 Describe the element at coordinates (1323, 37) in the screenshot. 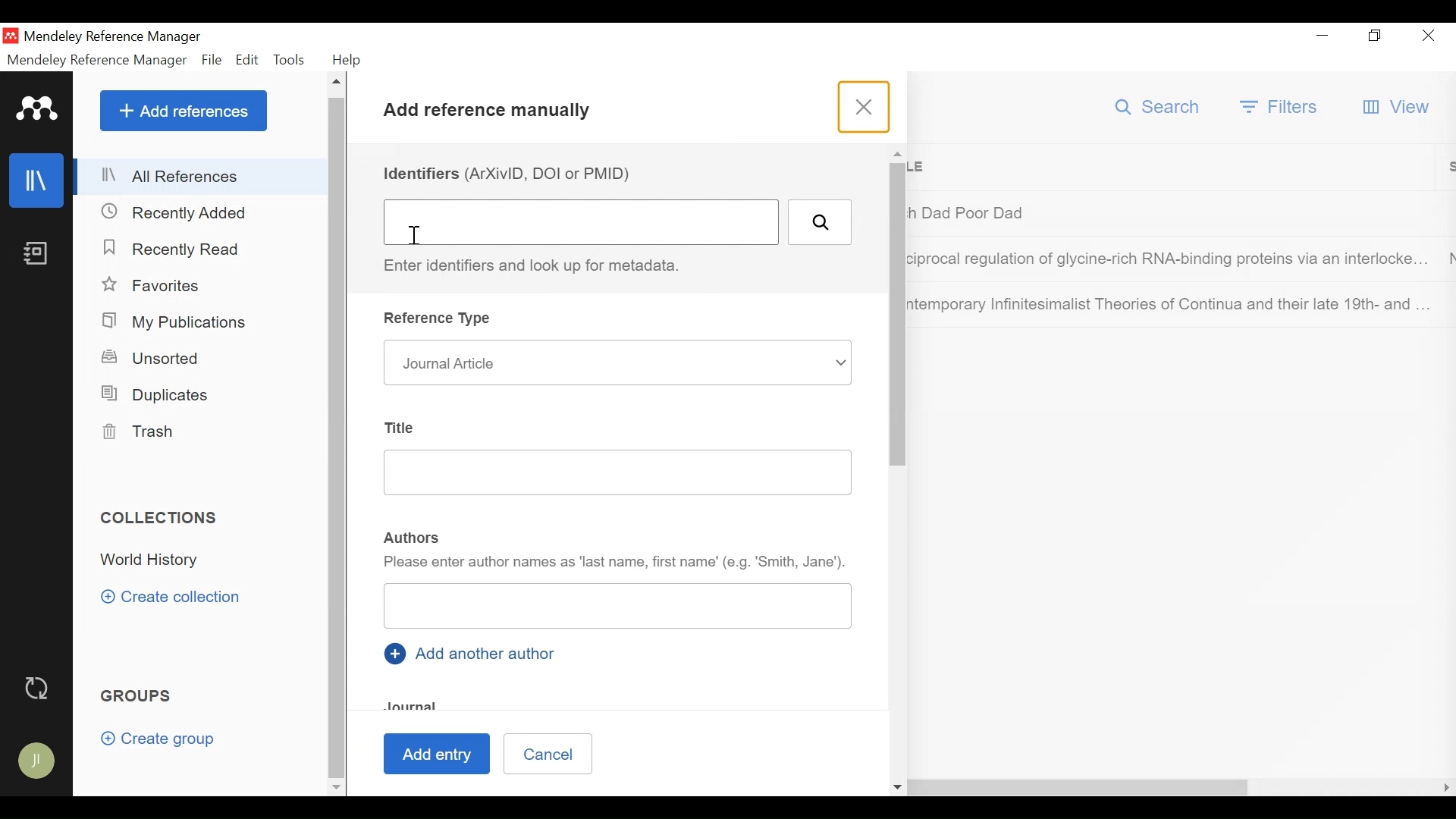

I see `minimize` at that location.